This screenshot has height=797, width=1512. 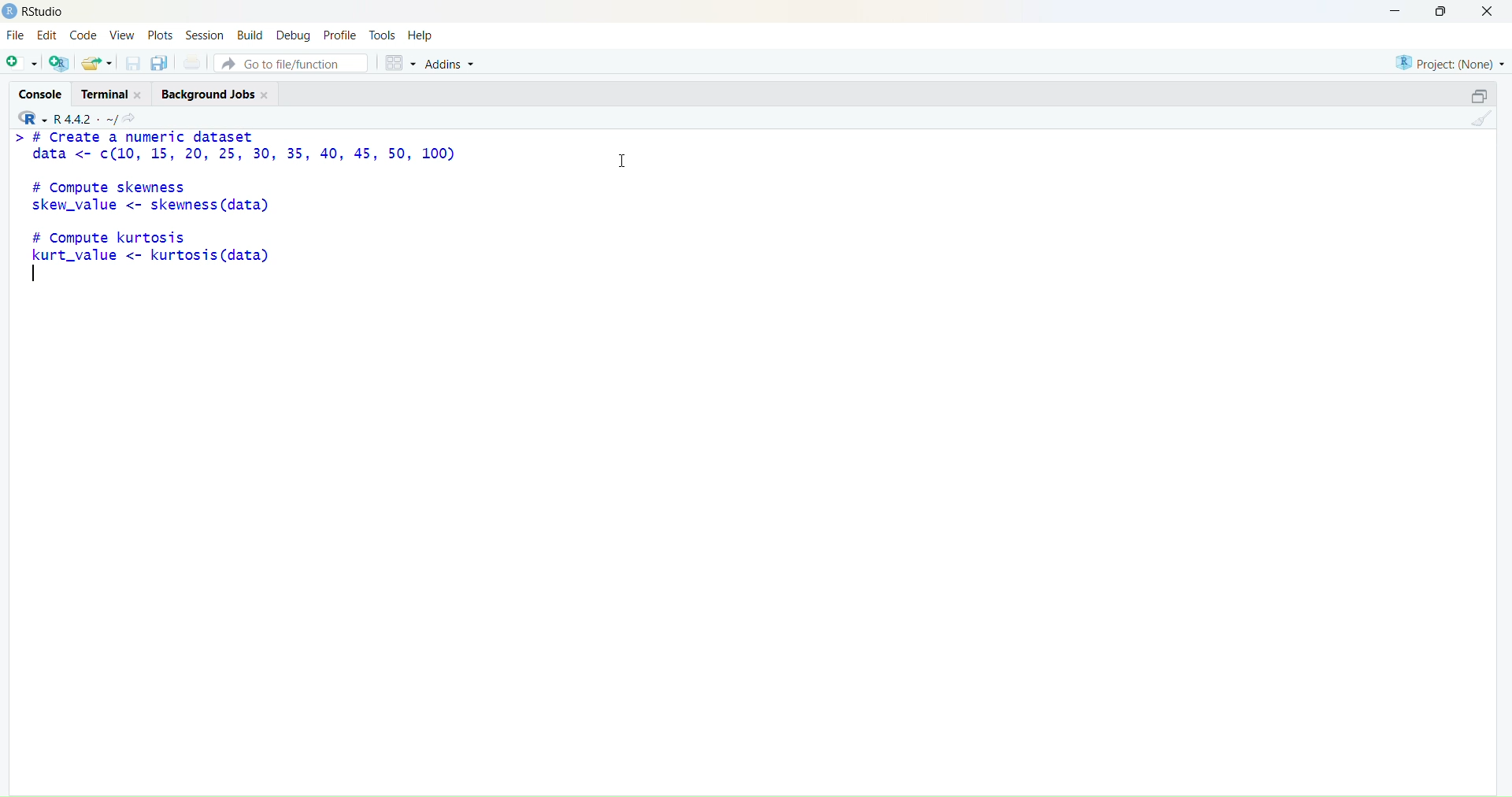 What do you see at coordinates (398, 61) in the screenshot?
I see `Workspace panes` at bounding box center [398, 61].